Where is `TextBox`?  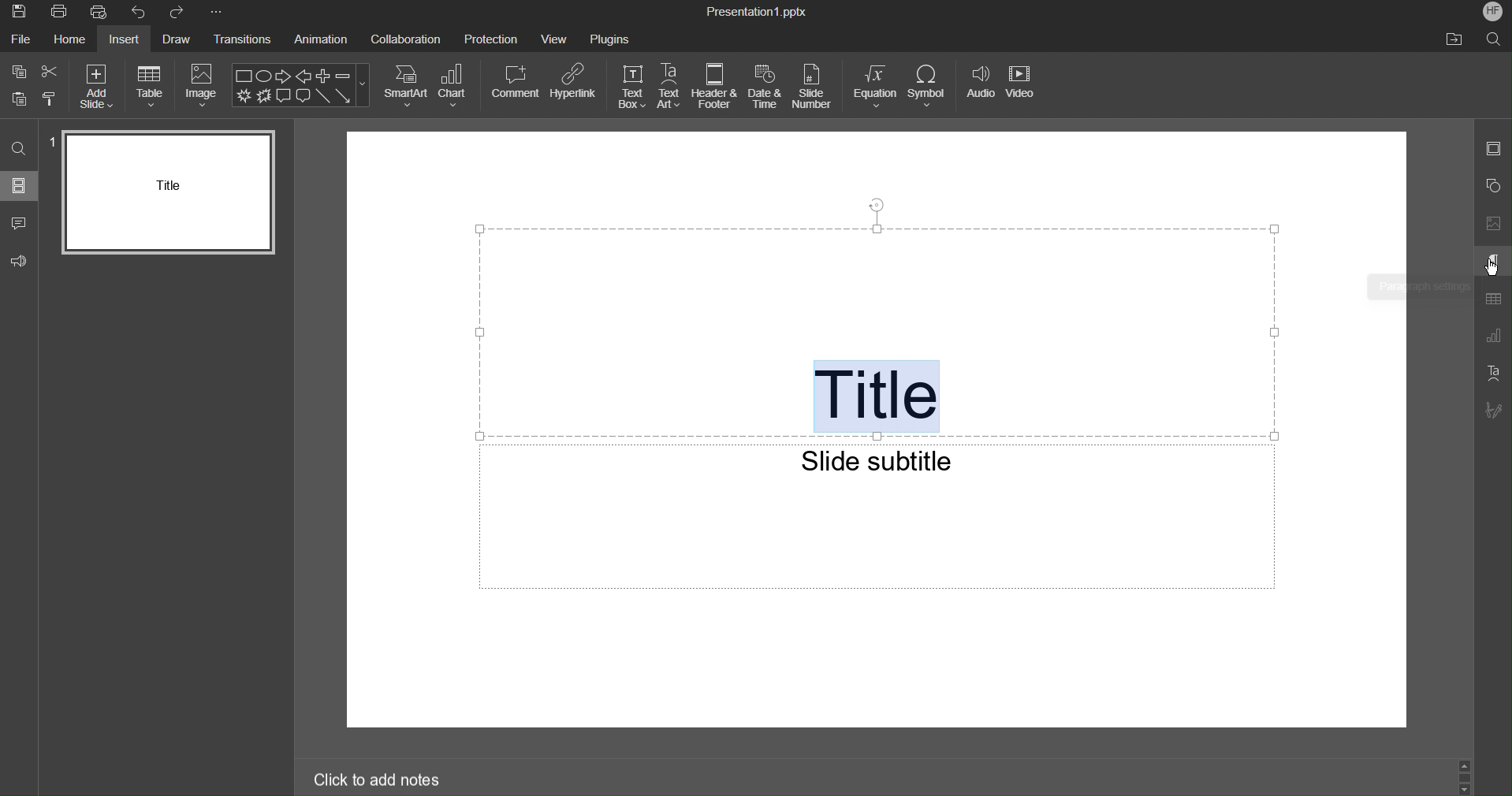 TextBox is located at coordinates (631, 86).